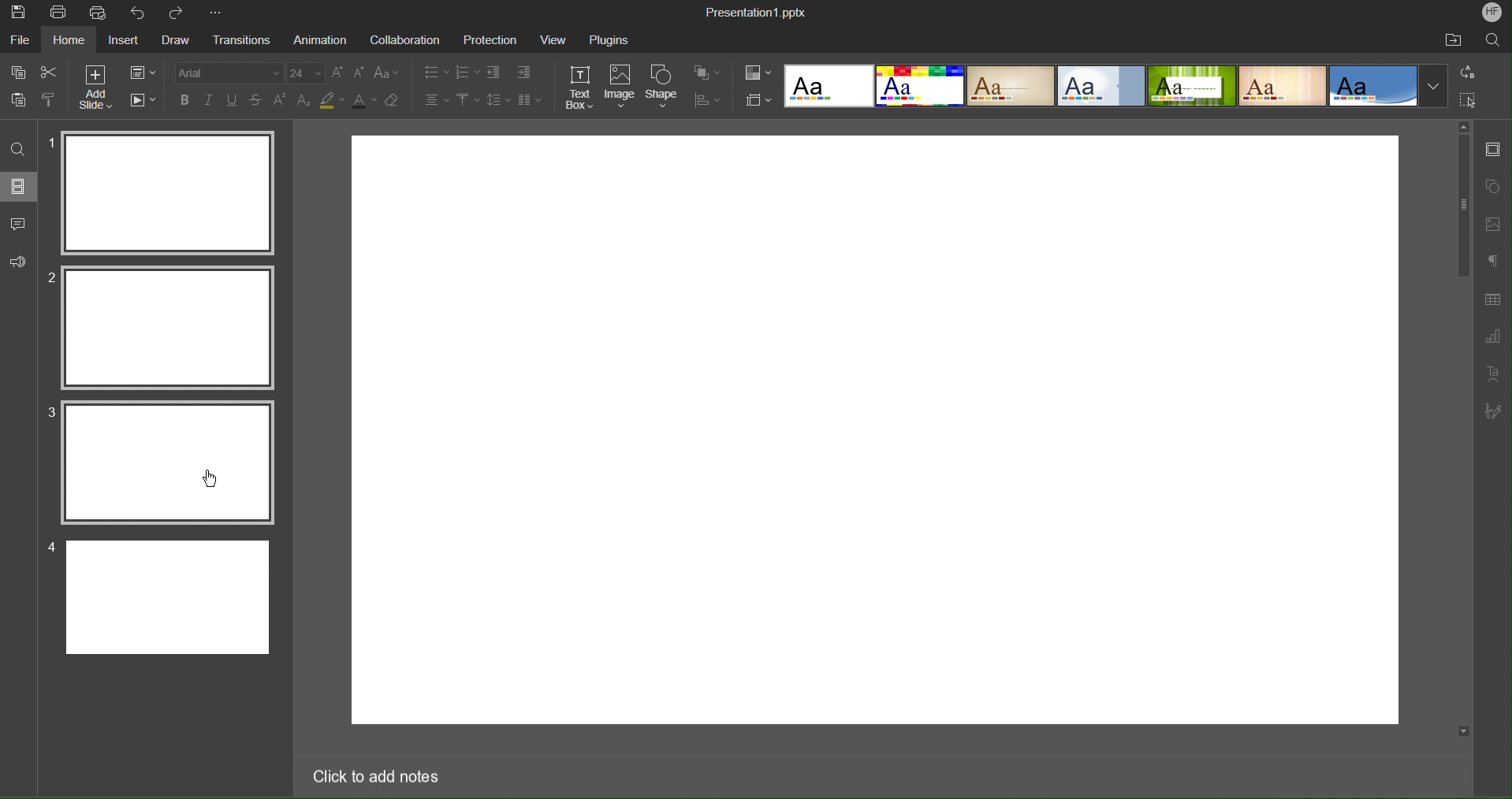 The height and width of the screenshot is (799, 1512). Describe the element at coordinates (1492, 373) in the screenshot. I see `Text Art` at that location.